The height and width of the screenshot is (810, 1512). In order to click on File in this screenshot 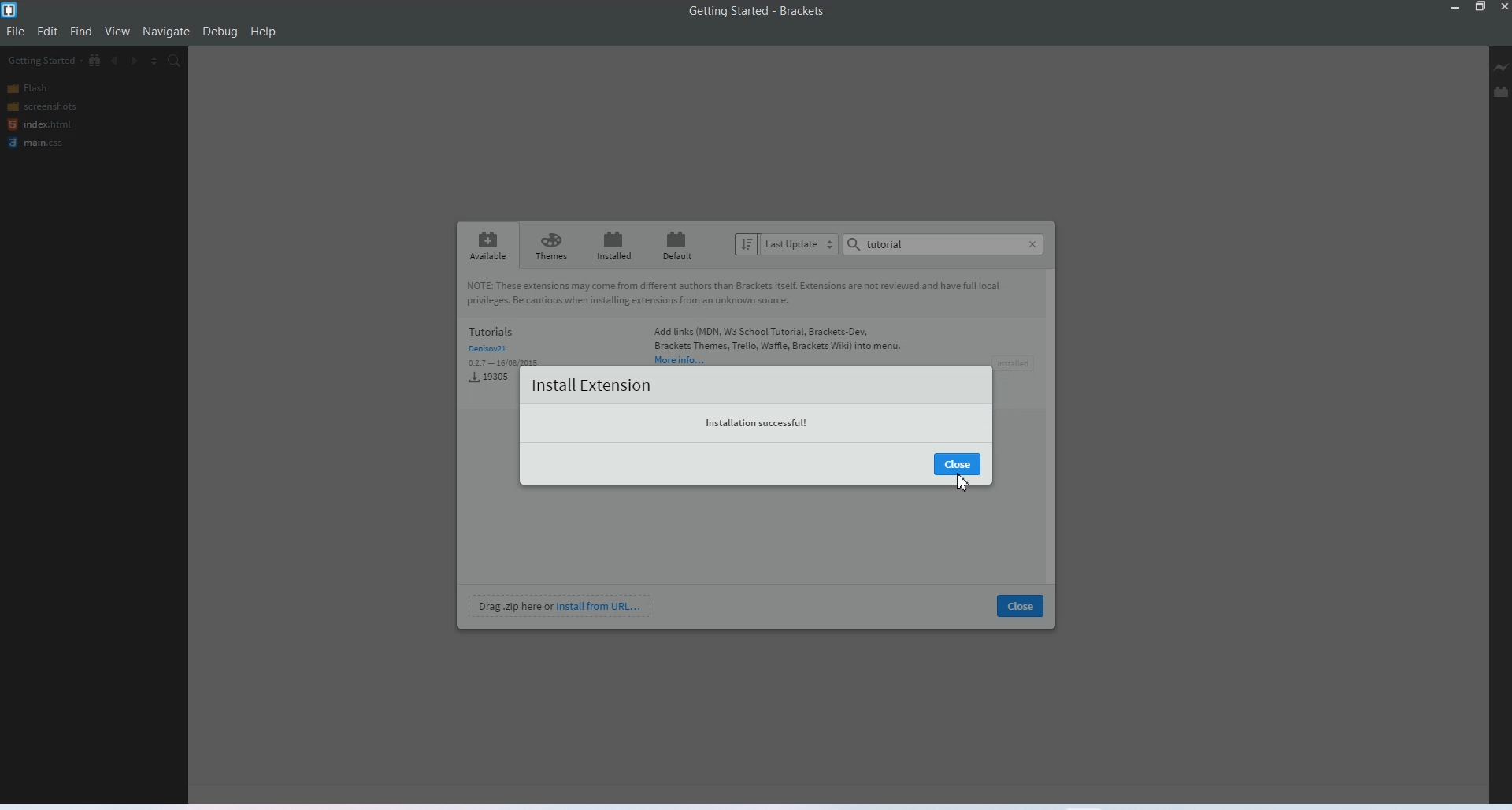, I will do `click(16, 31)`.